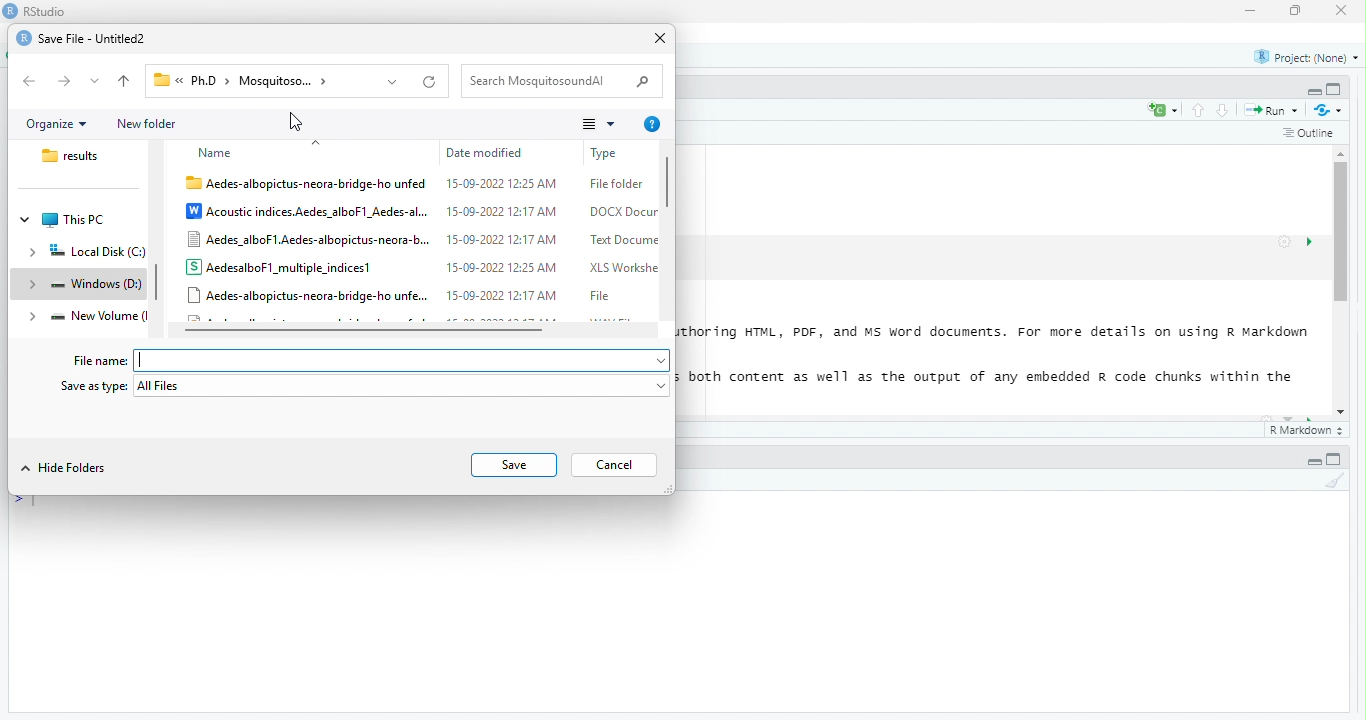 Image resolution: width=1366 pixels, height=720 pixels. Describe the element at coordinates (513, 465) in the screenshot. I see `Save` at that location.